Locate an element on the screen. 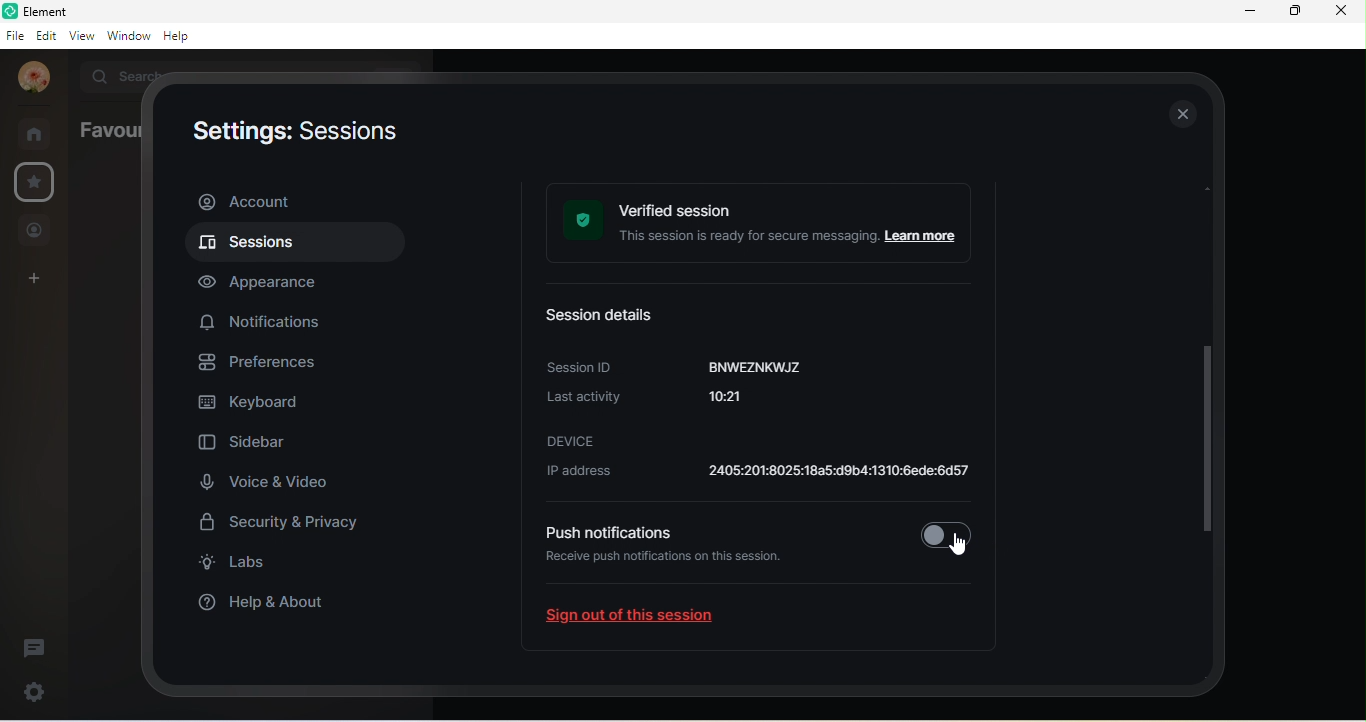 The width and height of the screenshot is (1366, 722). create a space is located at coordinates (38, 280).